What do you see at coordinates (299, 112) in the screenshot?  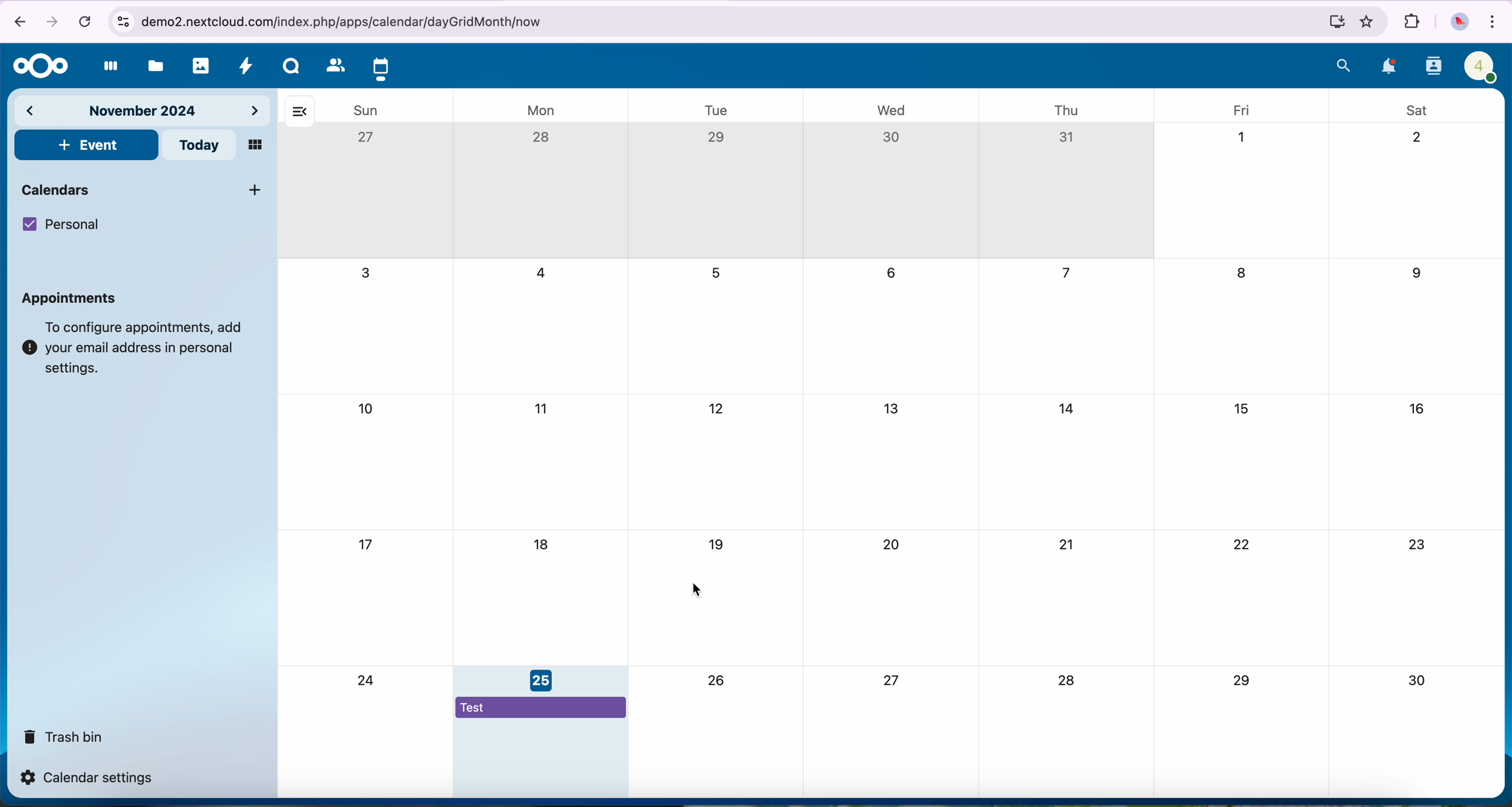 I see `hide bar` at bounding box center [299, 112].